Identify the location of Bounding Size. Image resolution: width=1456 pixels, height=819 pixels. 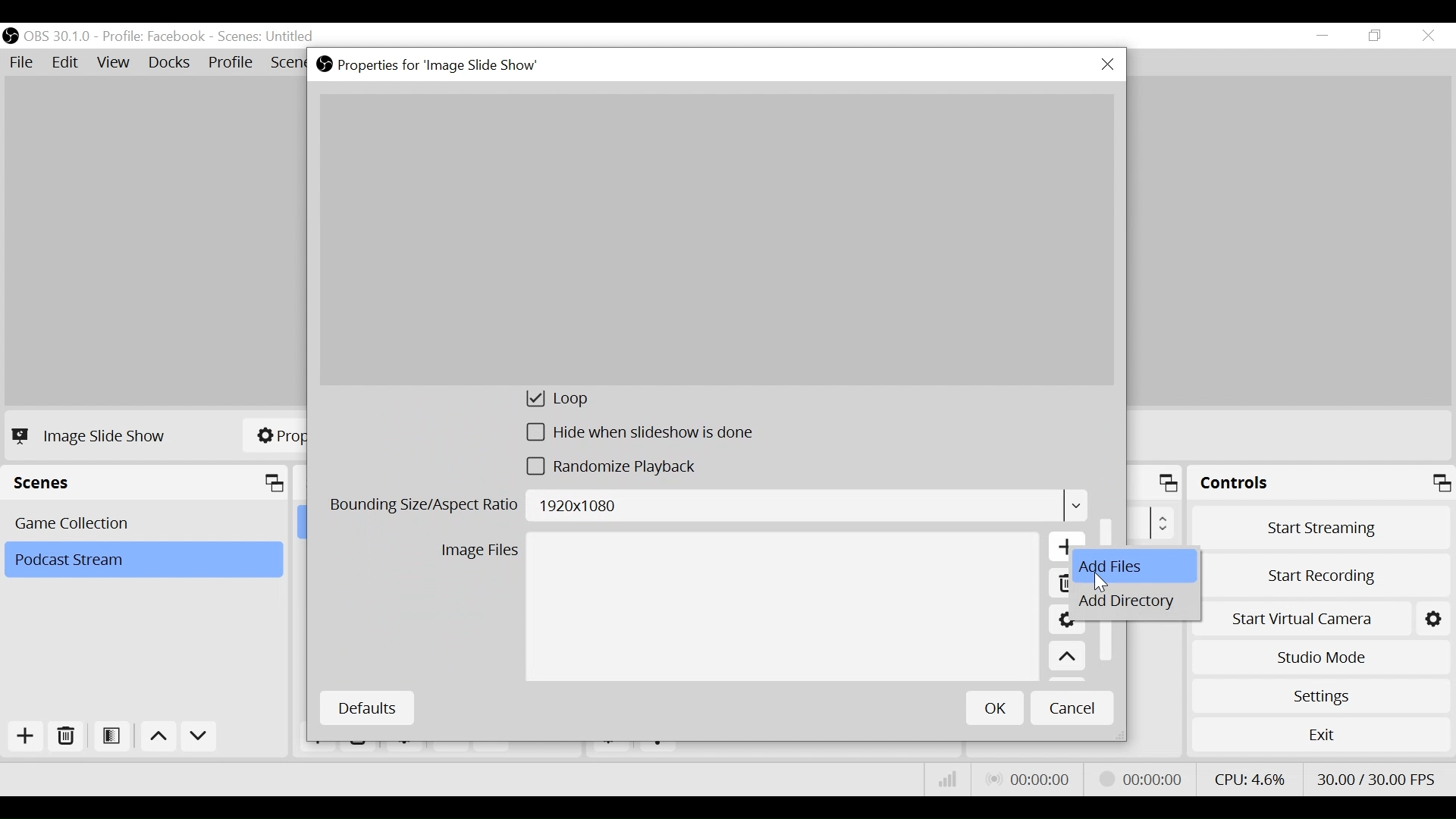
(707, 508).